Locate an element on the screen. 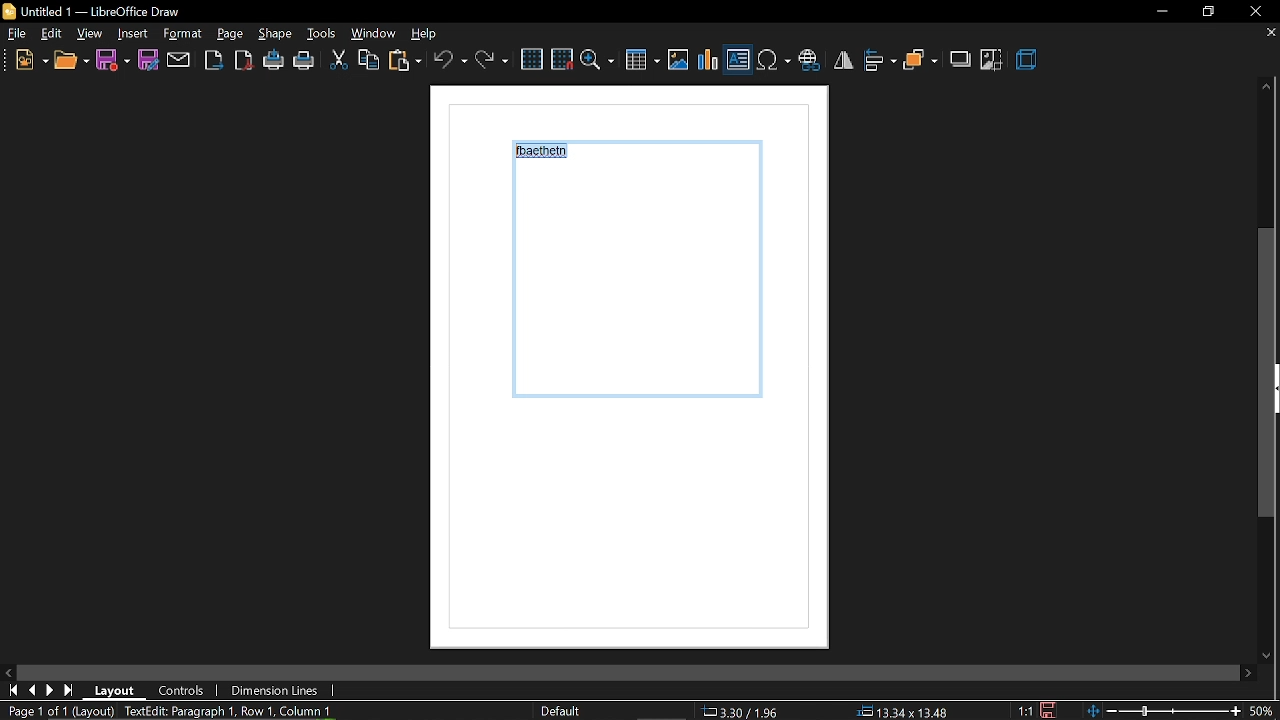 The image size is (1280, 720). paste is located at coordinates (404, 62).